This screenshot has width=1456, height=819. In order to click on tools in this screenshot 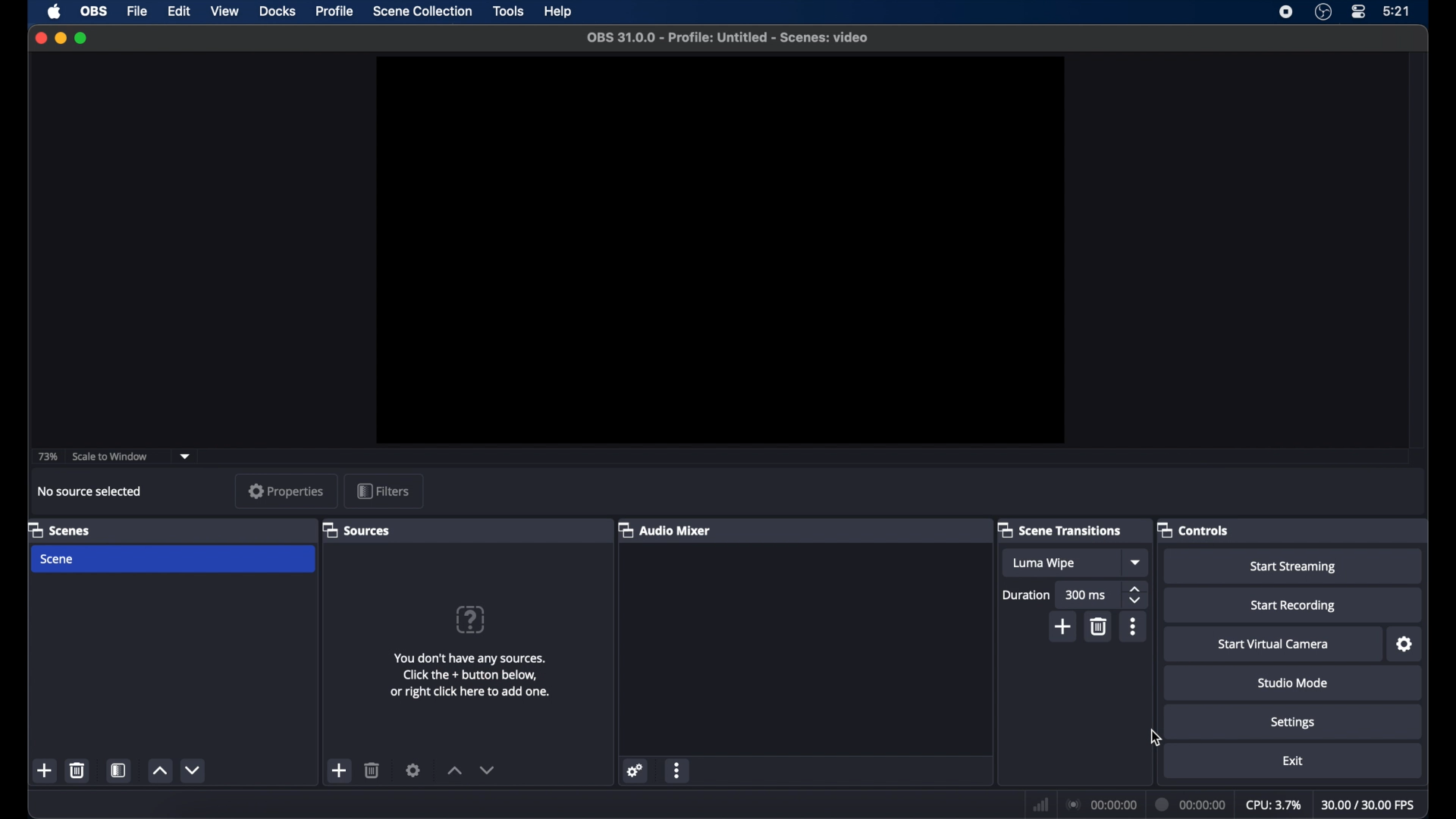, I will do `click(510, 11)`.